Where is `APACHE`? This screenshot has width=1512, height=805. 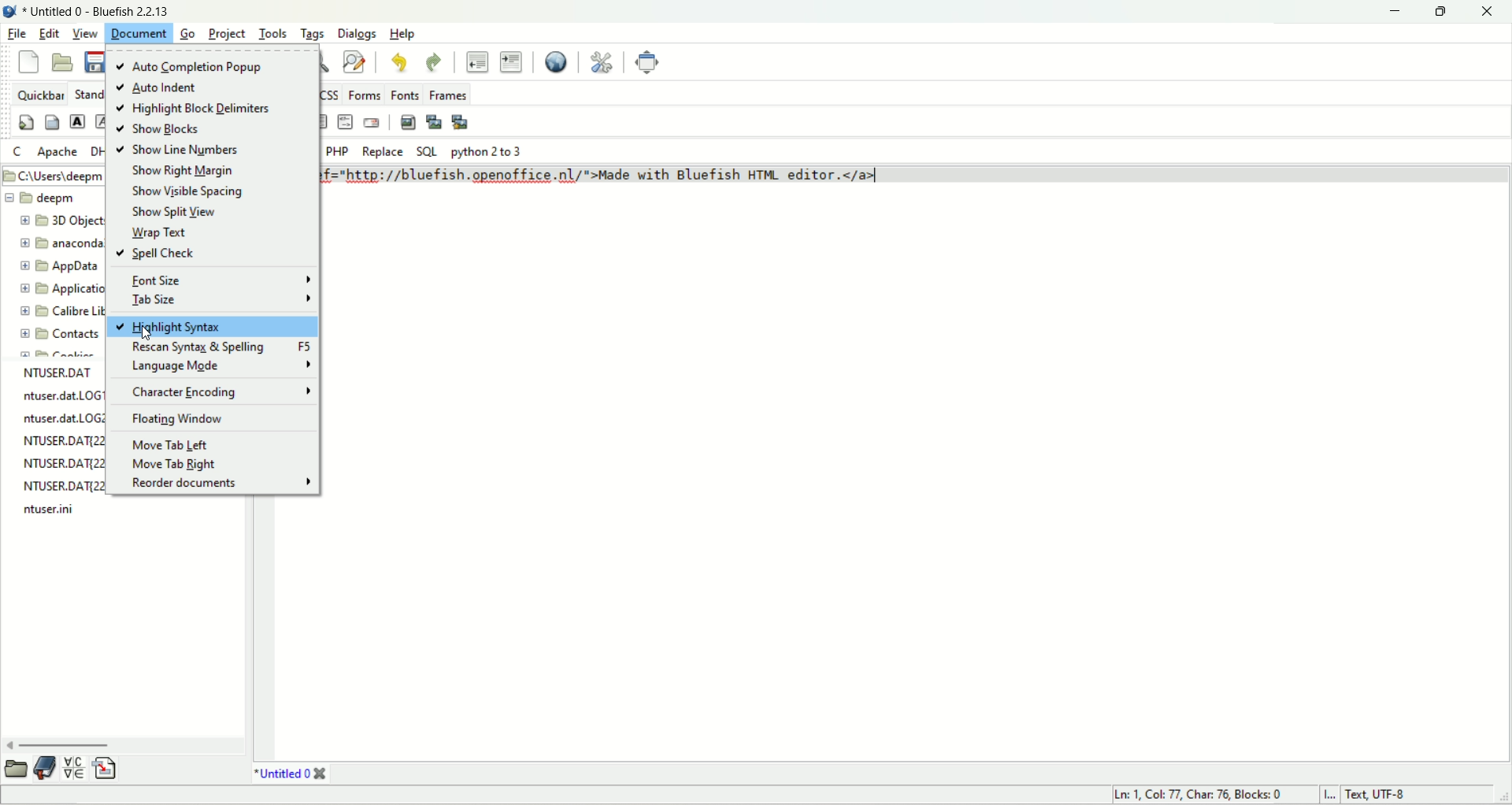 APACHE is located at coordinates (57, 151).